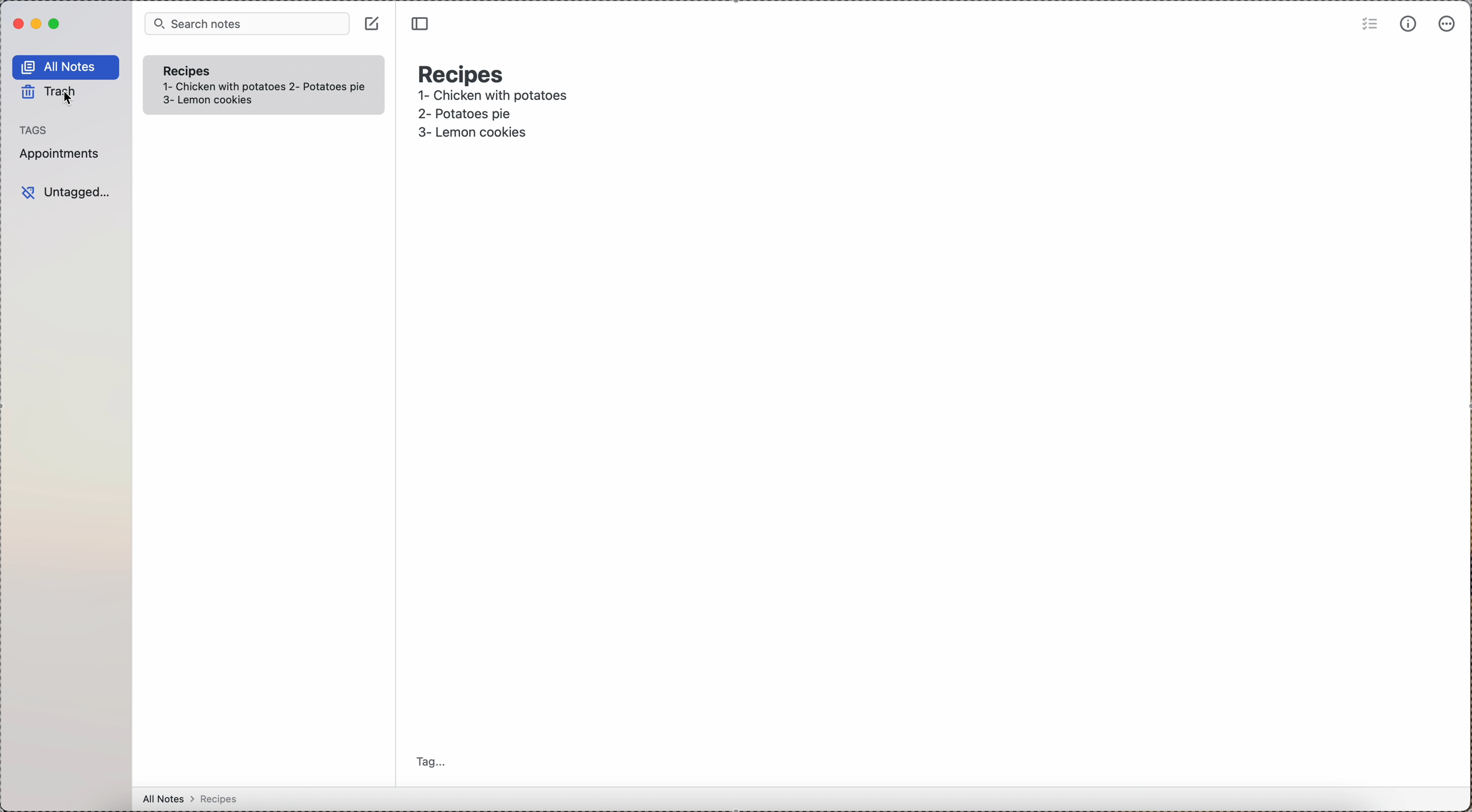 The image size is (1472, 812). I want to click on cursor, so click(65, 103).